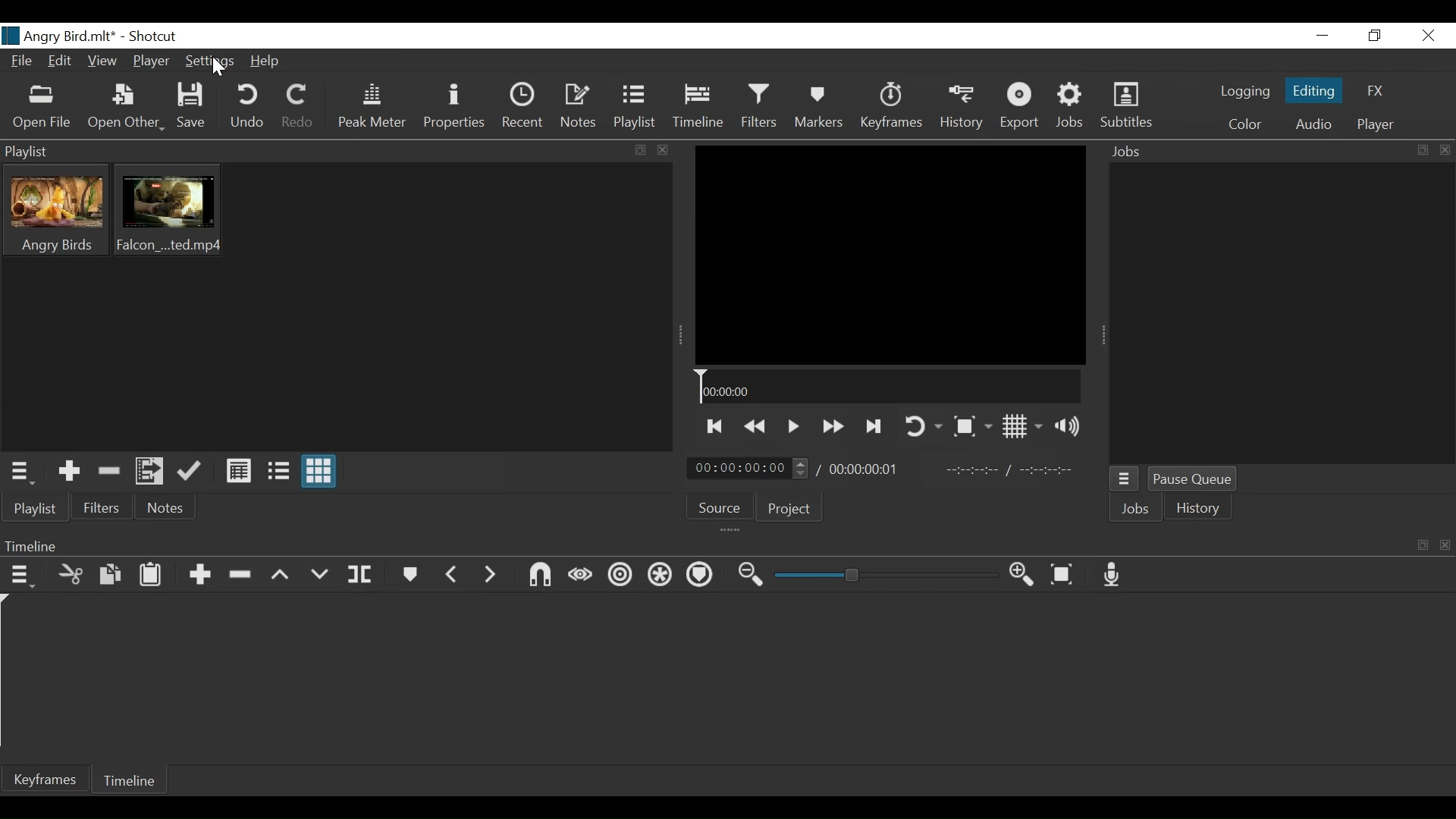  Describe the element at coordinates (493, 576) in the screenshot. I see `Next Marker` at that location.